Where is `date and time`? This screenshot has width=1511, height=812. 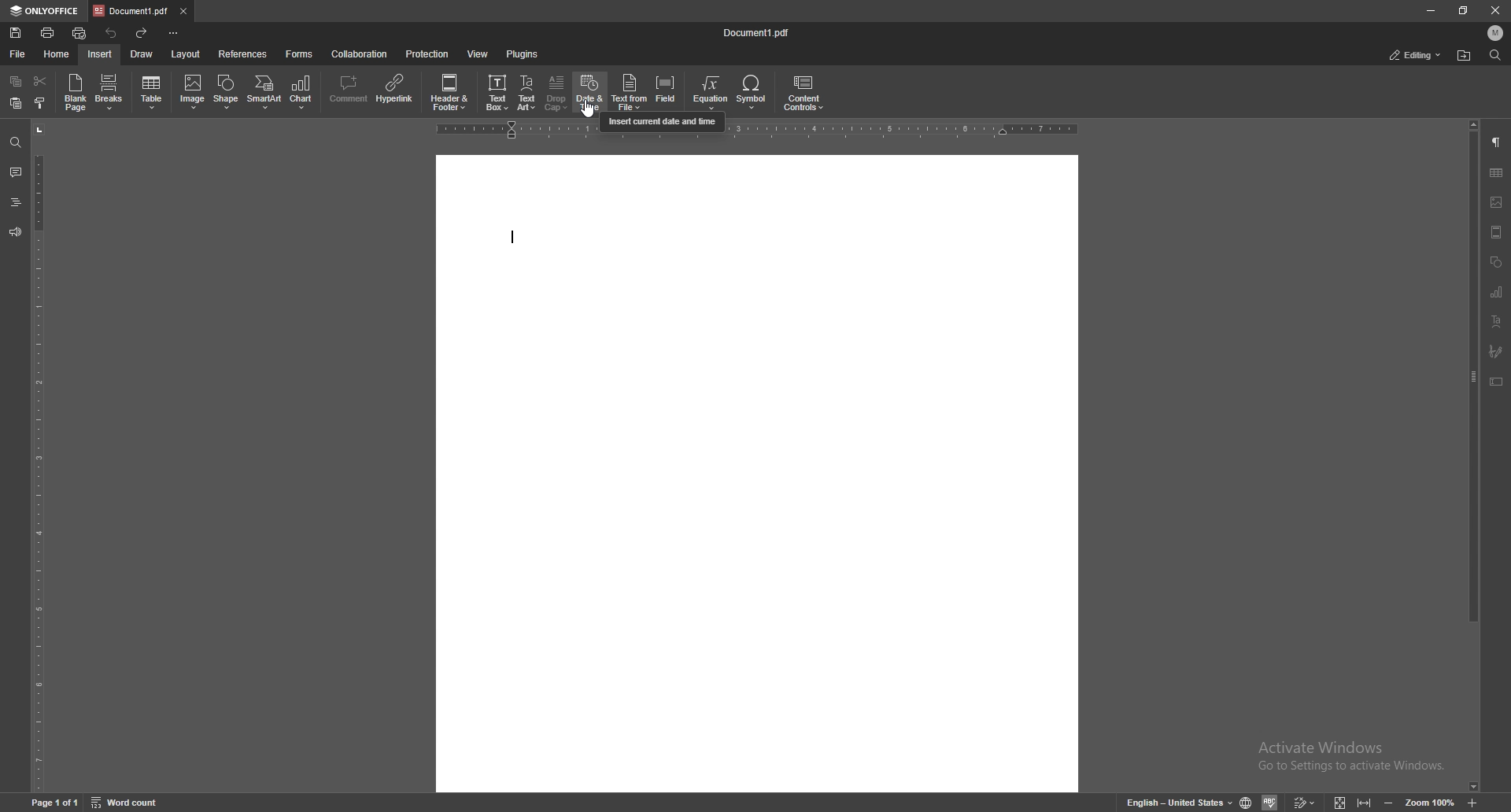
date and time is located at coordinates (589, 93).